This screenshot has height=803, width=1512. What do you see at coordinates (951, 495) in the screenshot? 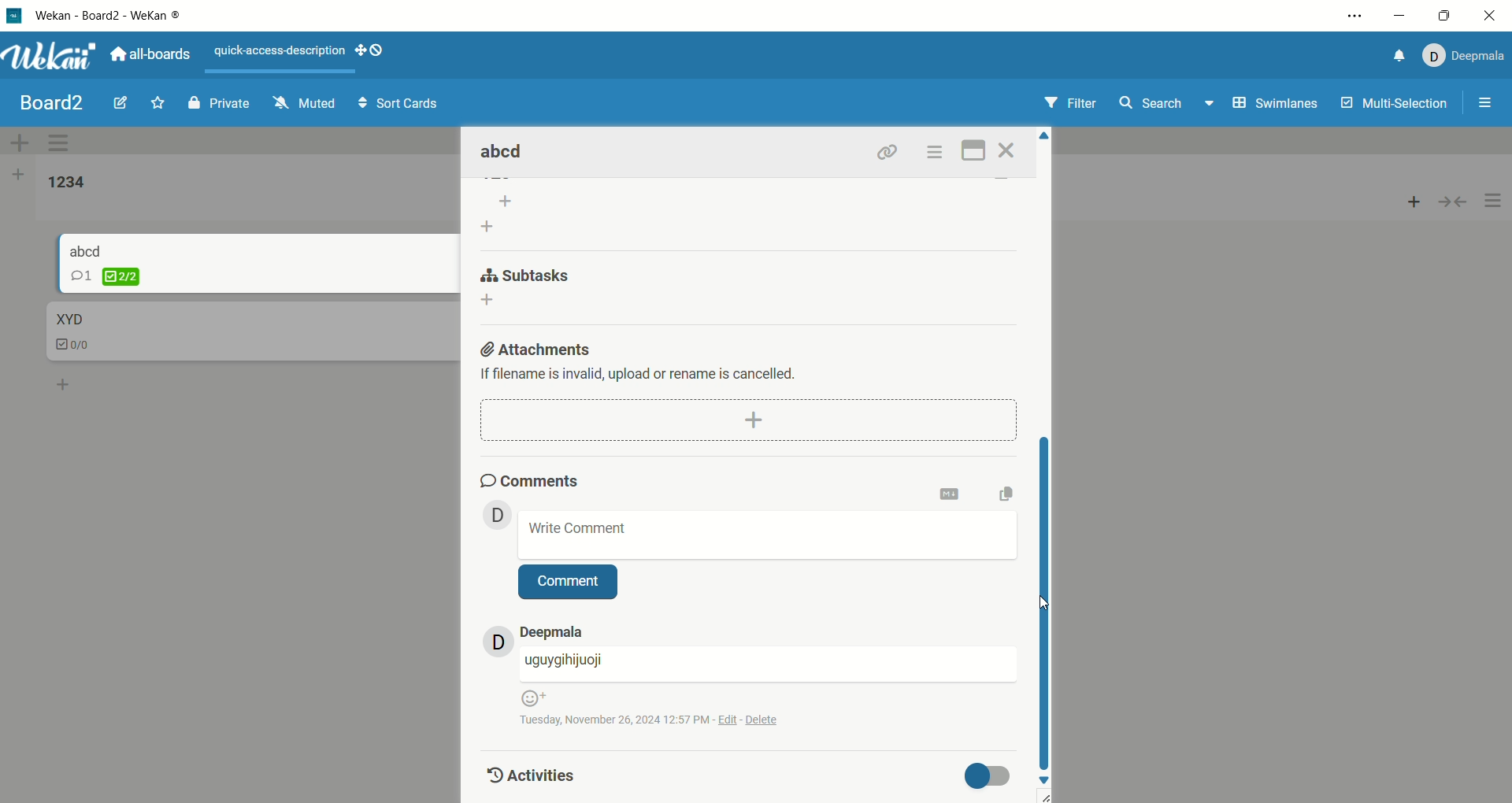
I see `onvert to markdown` at bounding box center [951, 495].